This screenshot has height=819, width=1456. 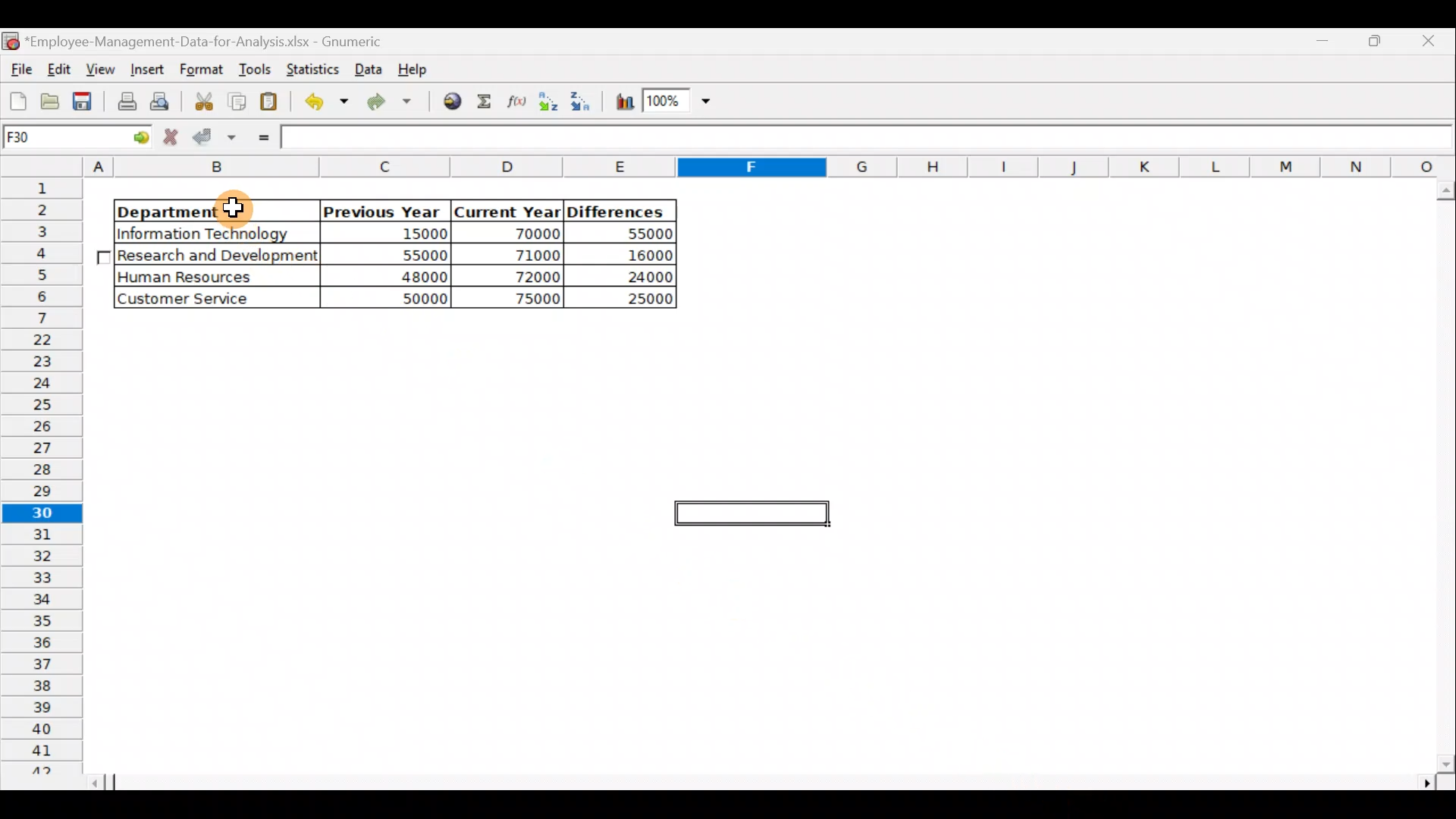 What do you see at coordinates (525, 276) in the screenshot?
I see `72000` at bounding box center [525, 276].